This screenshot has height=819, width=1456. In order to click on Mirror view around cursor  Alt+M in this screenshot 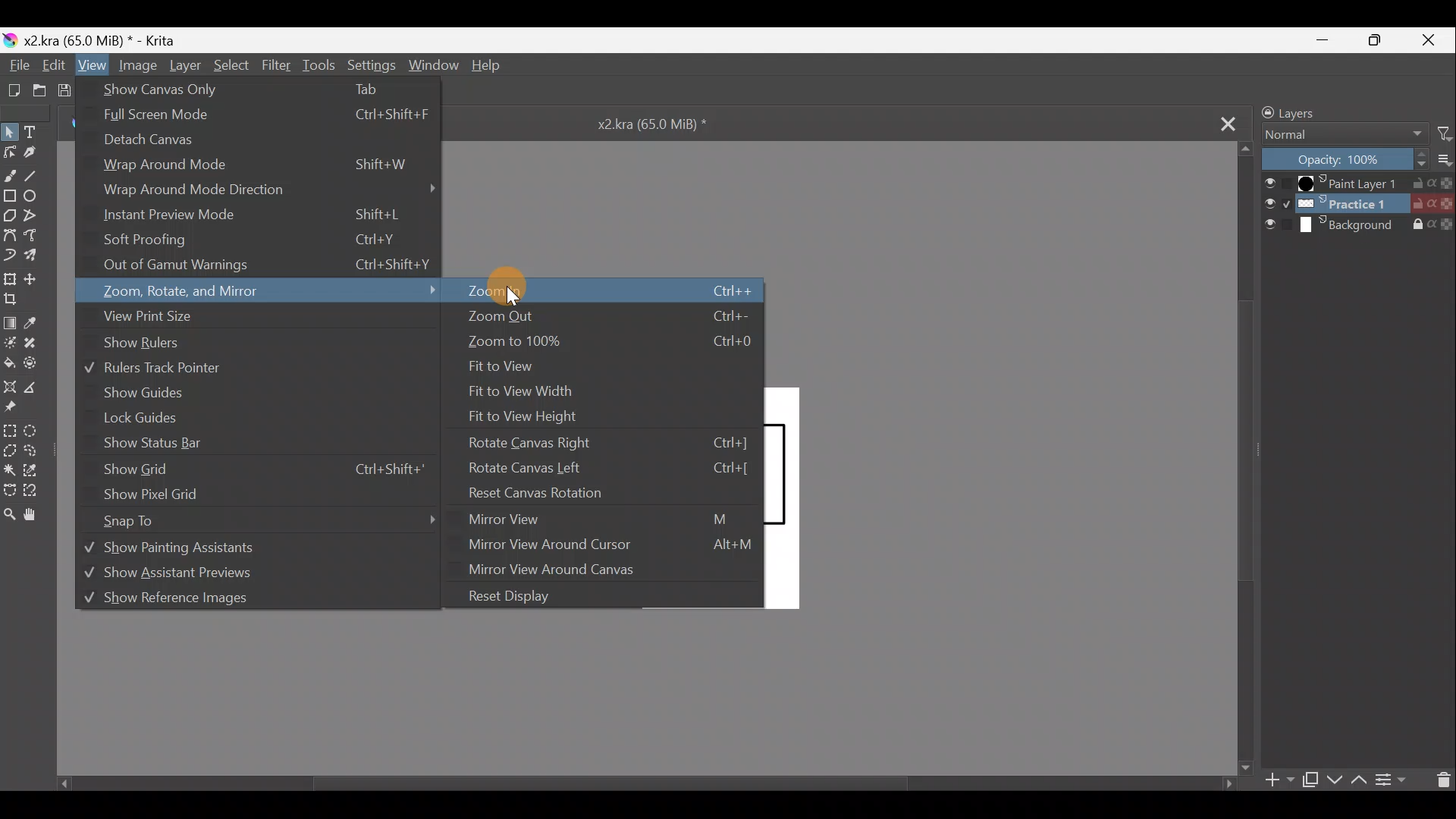, I will do `click(608, 548)`.